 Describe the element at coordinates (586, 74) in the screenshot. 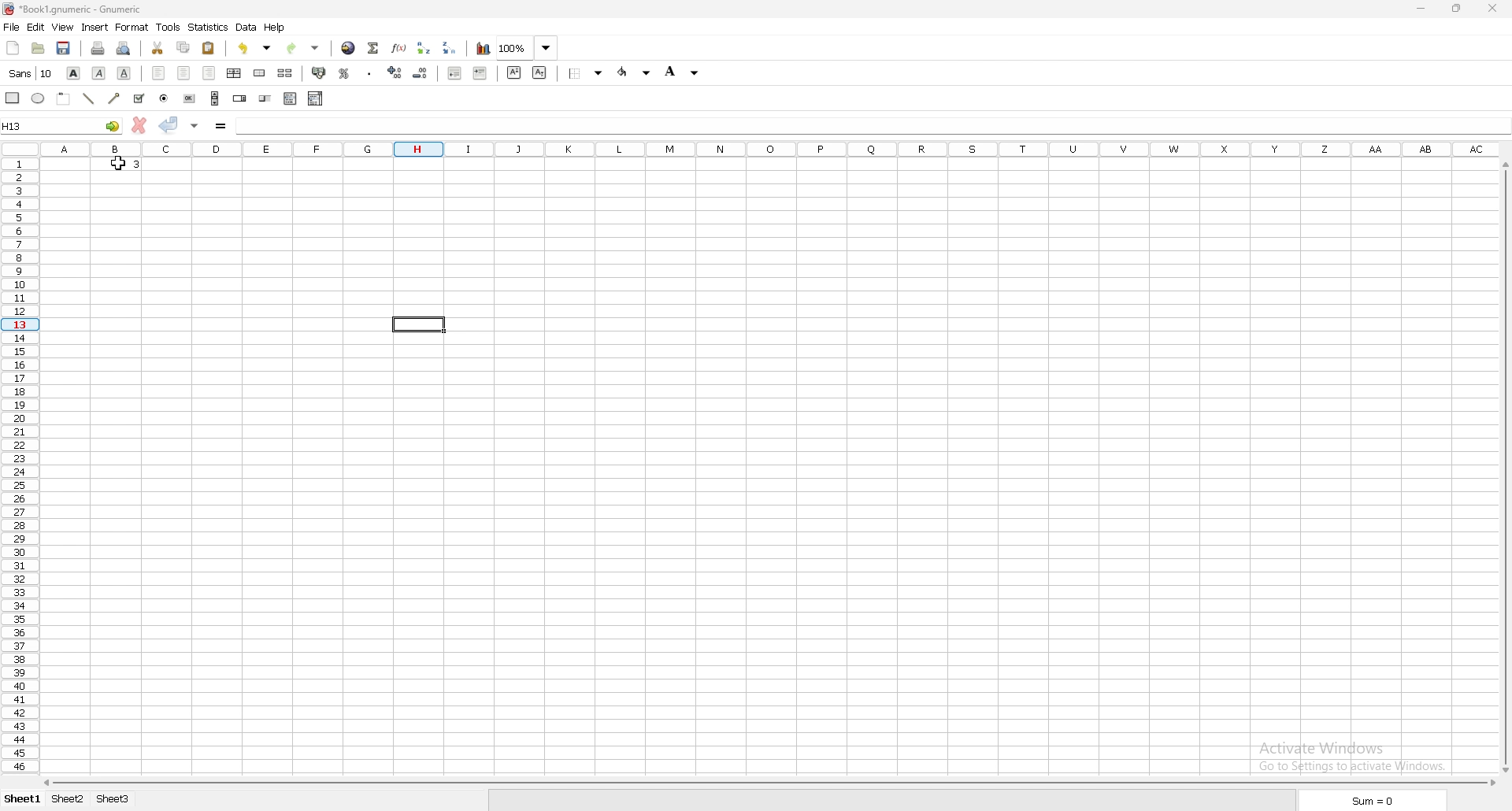

I see `border` at that location.